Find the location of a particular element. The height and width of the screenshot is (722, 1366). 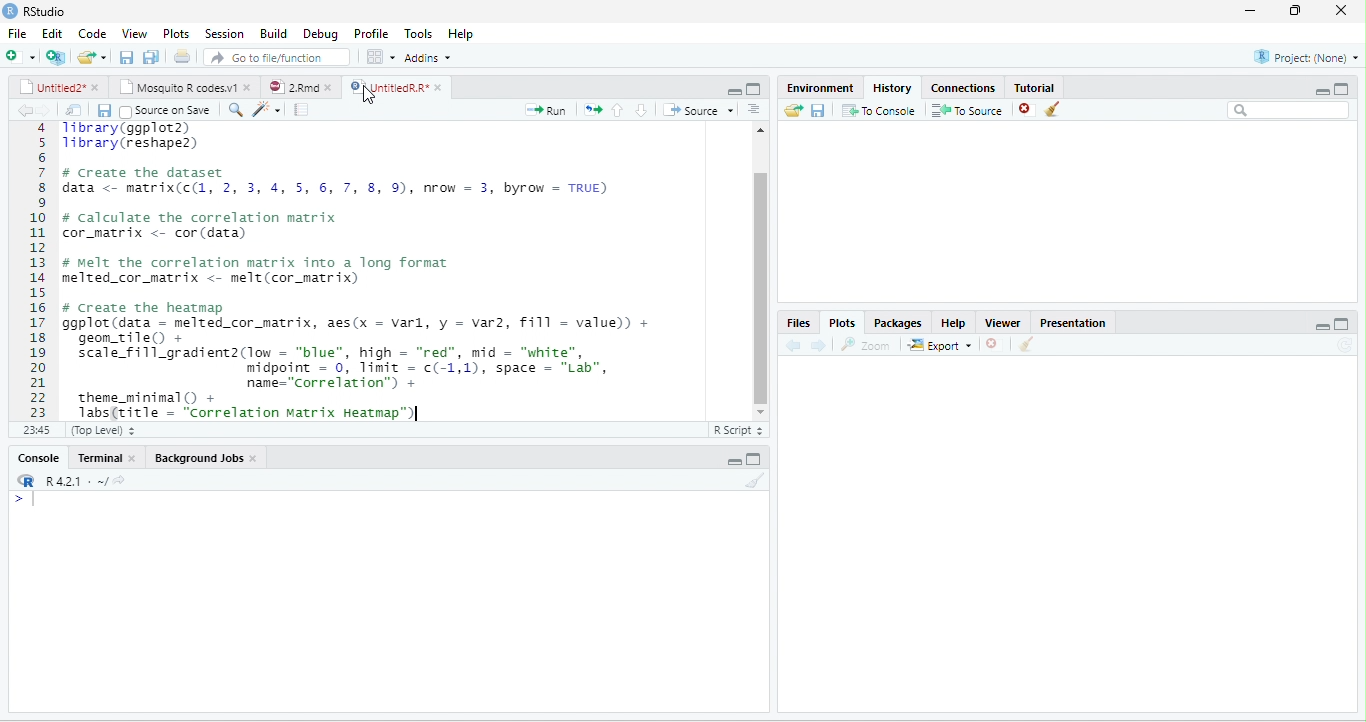

plots is located at coordinates (176, 33).